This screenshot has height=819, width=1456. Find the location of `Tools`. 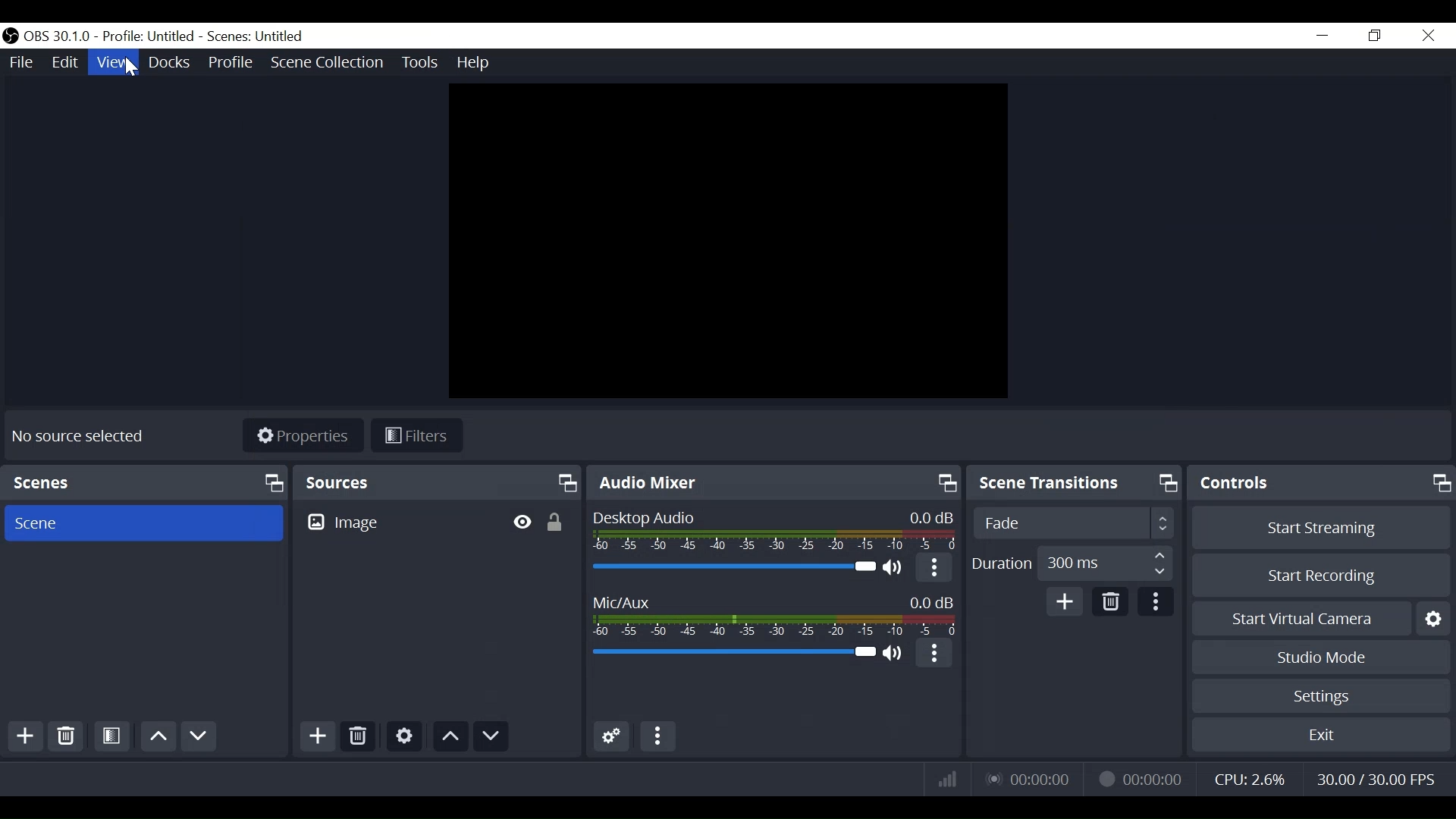

Tools is located at coordinates (418, 61).